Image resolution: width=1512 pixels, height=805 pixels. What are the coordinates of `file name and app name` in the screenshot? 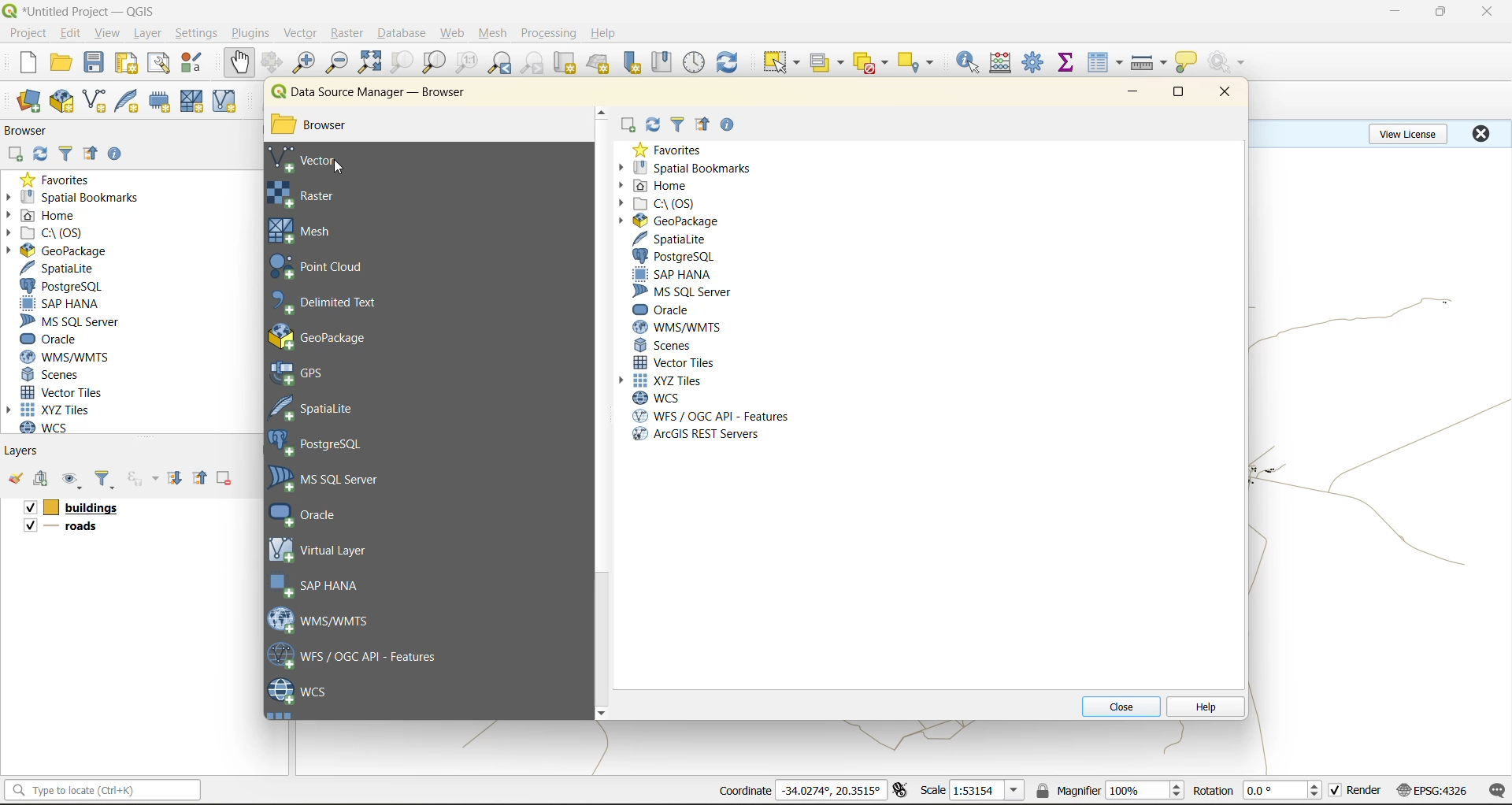 It's located at (83, 10).